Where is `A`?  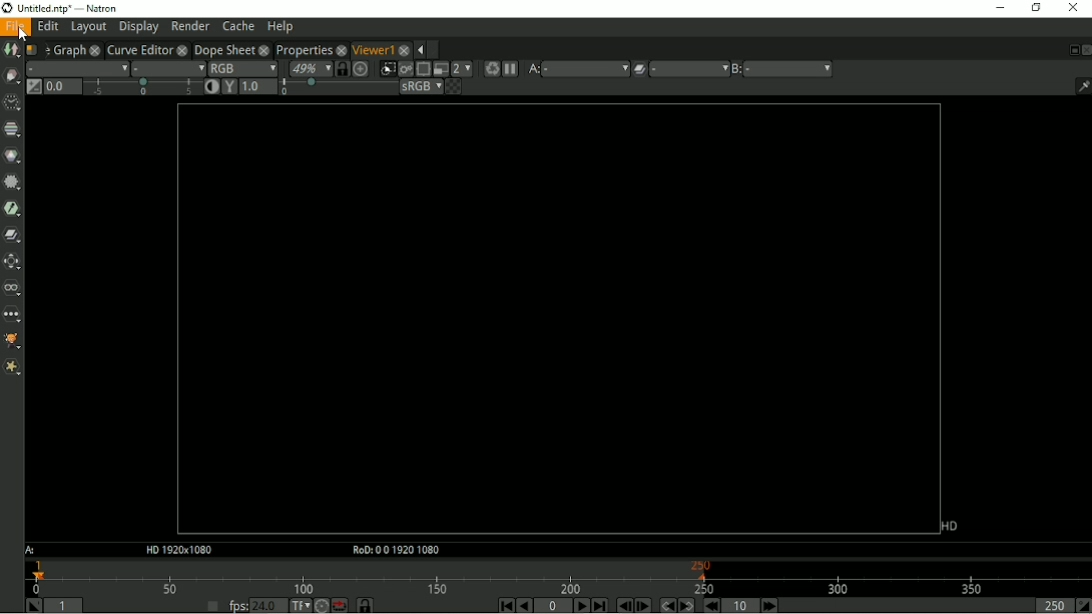 A is located at coordinates (32, 550).